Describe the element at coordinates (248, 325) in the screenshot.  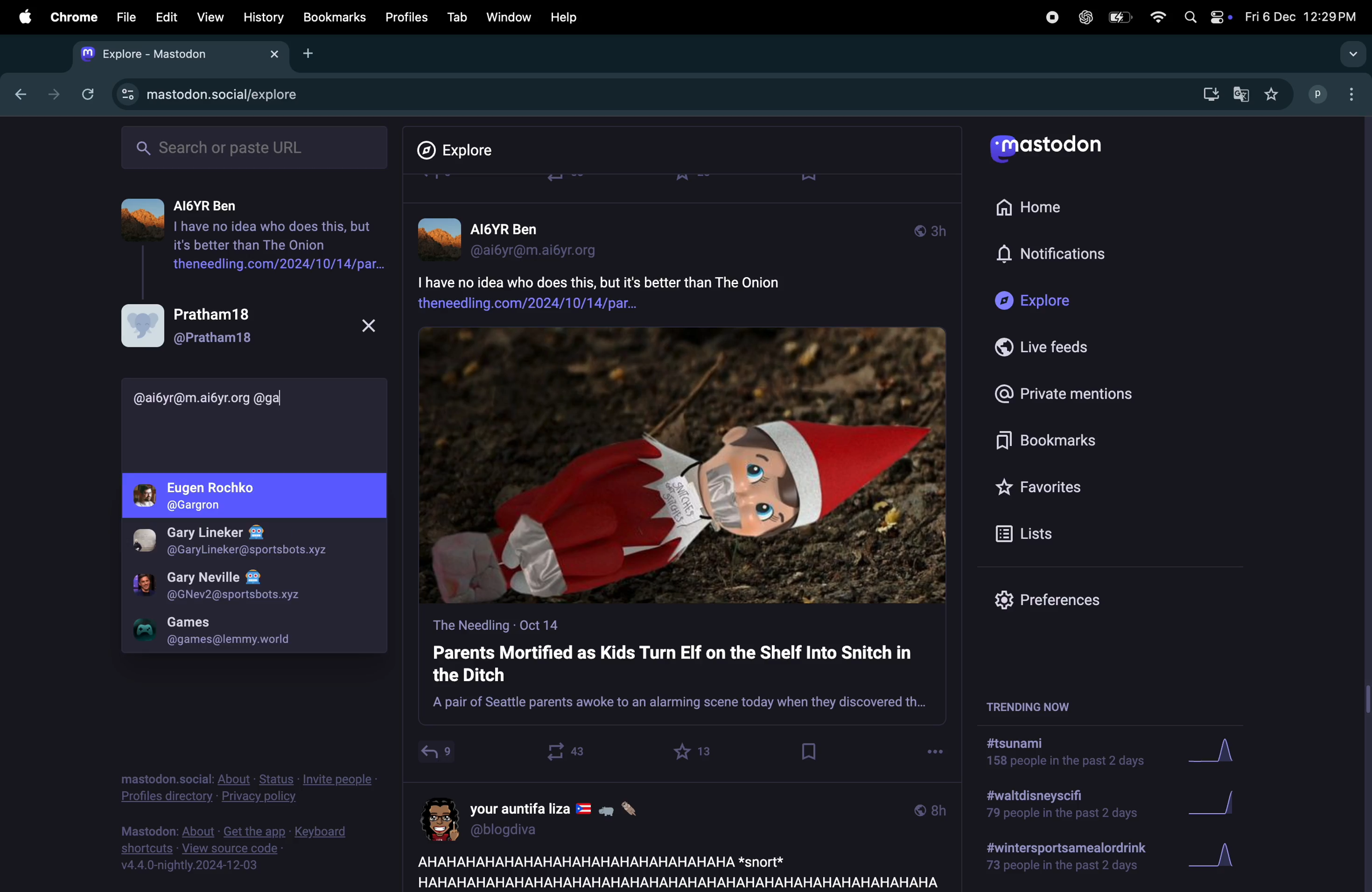
I see `user profile` at that location.